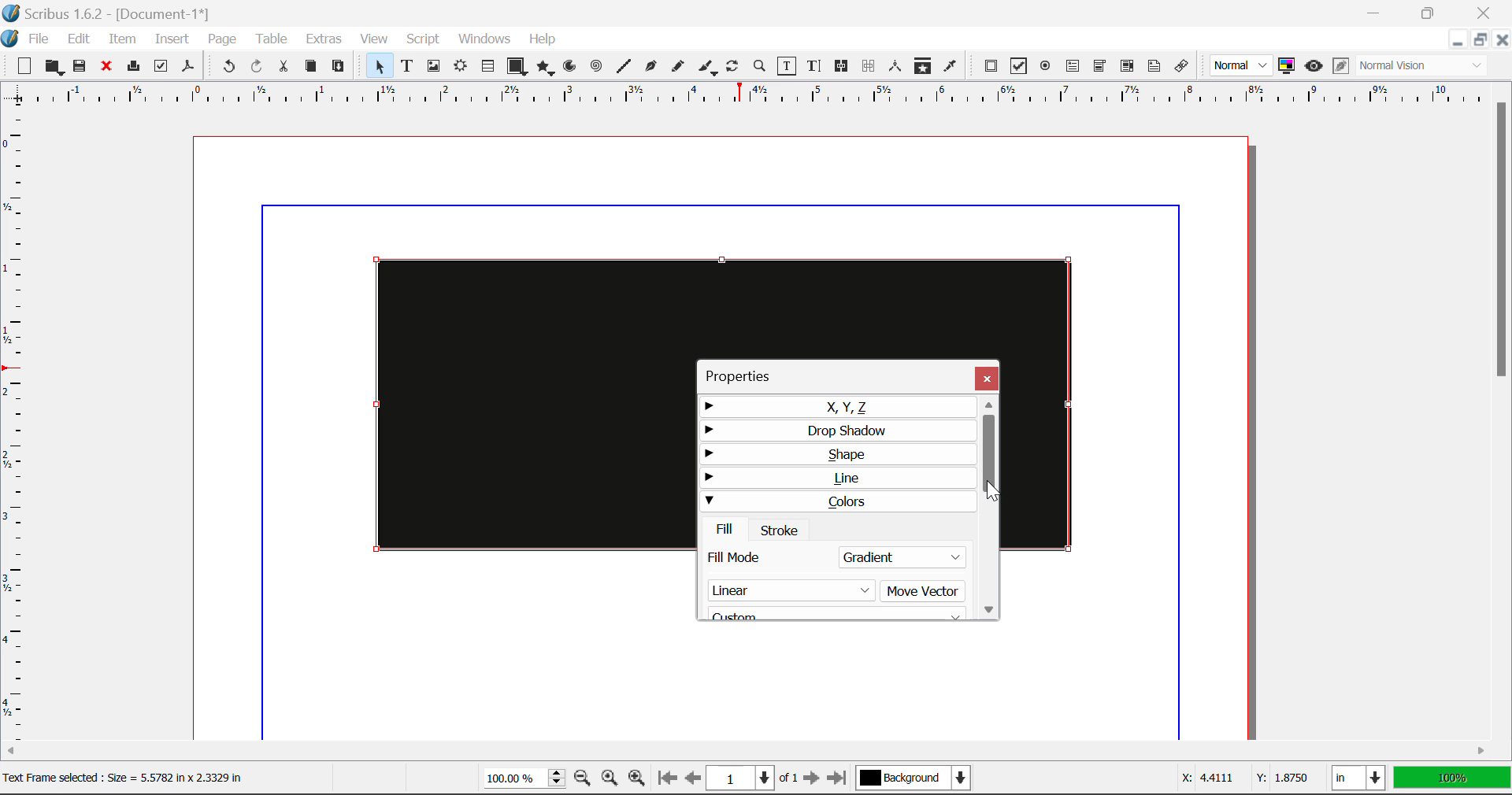 The height and width of the screenshot is (795, 1512). What do you see at coordinates (755, 99) in the screenshot?
I see `Vertical Page Margins` at bounding box center [755, 99].